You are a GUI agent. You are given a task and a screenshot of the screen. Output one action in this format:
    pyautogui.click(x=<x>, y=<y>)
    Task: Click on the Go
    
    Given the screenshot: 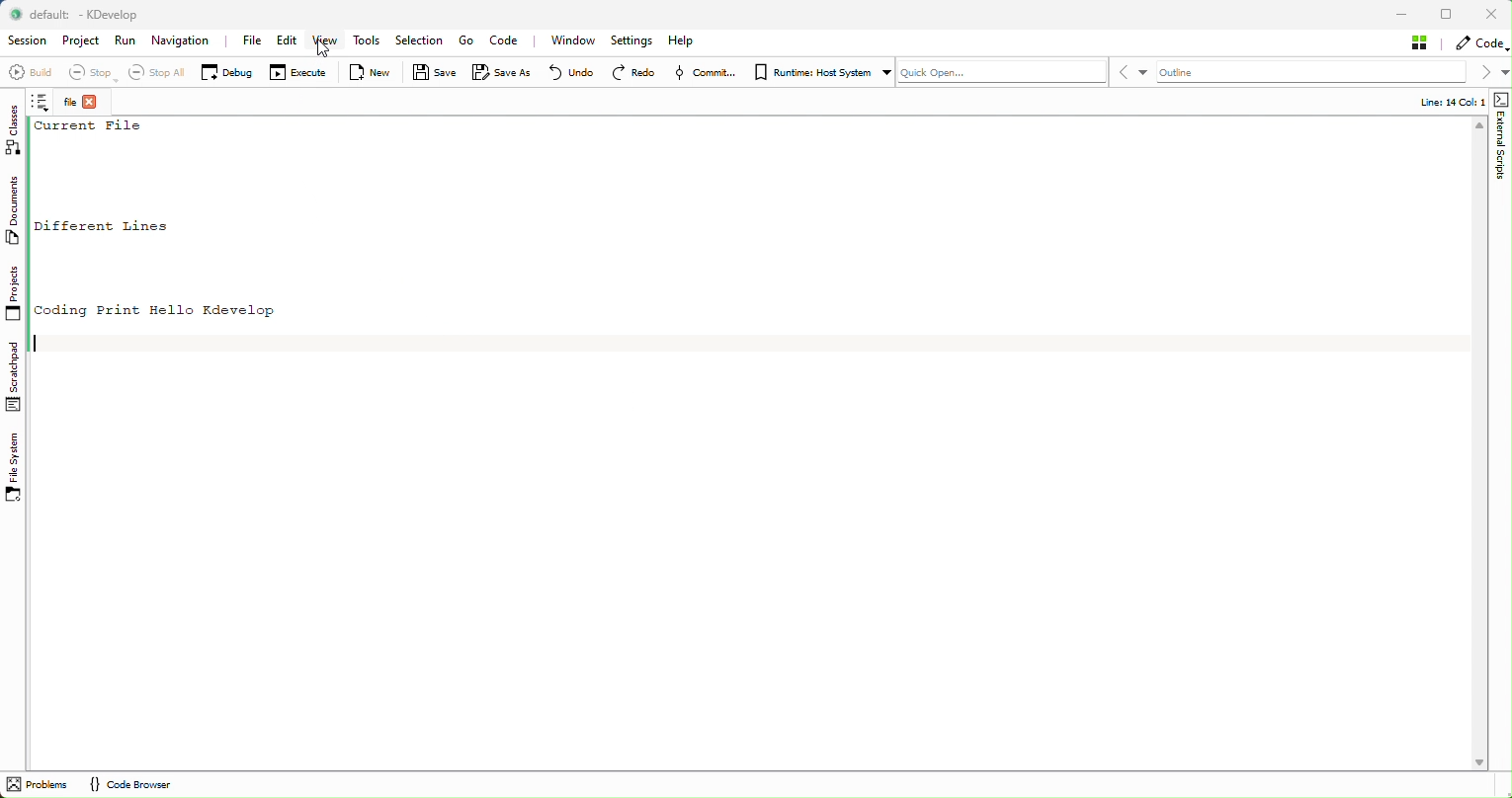 What is the action you would take?
    pyautogui.click(x=464, y=41)
    